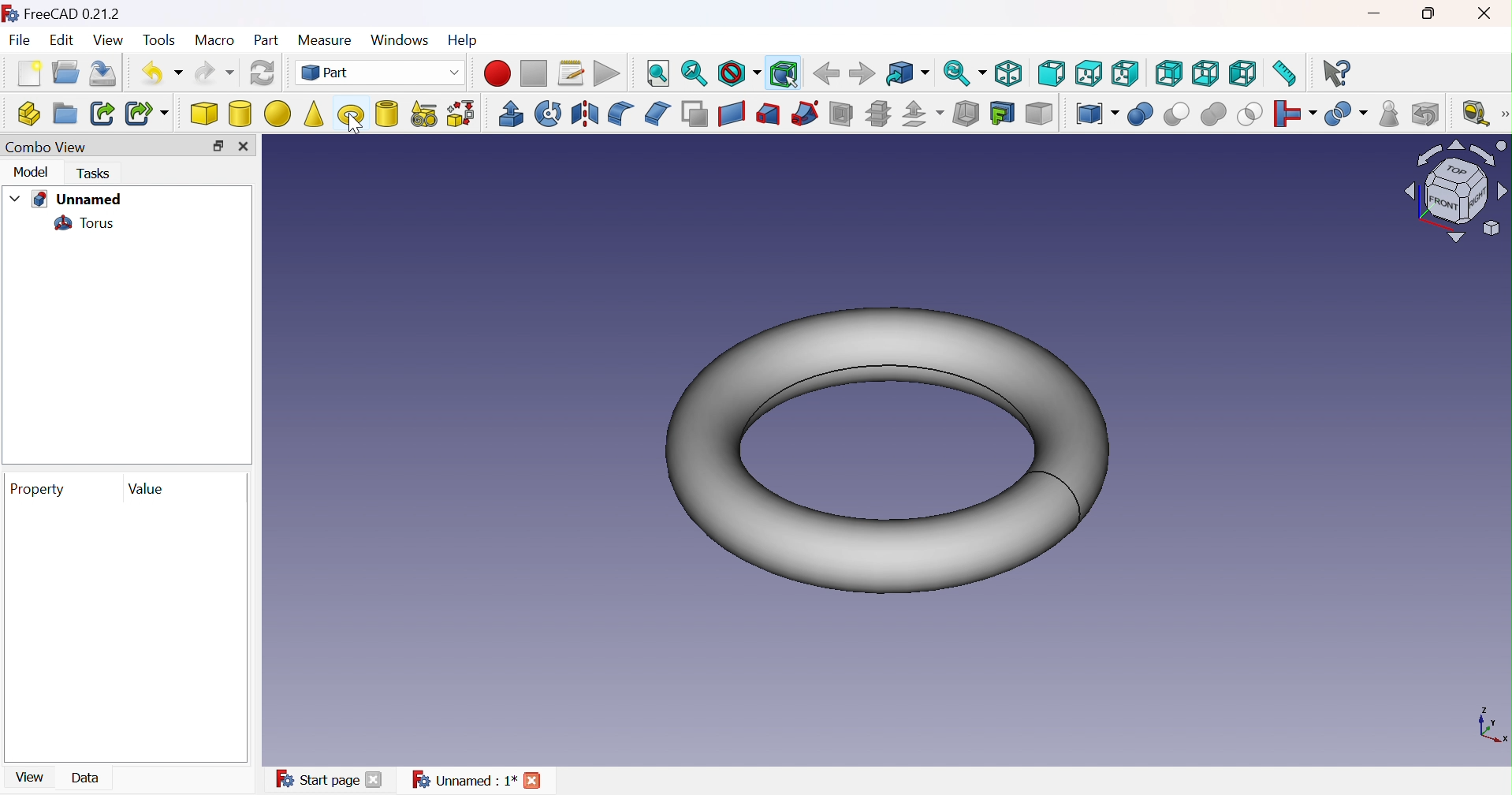 The width and height of the screenshot is (1512, 795). What do you see at coordinates (840, 114) in the screenshot?
I see `Section` at bounding box center [840, 114].